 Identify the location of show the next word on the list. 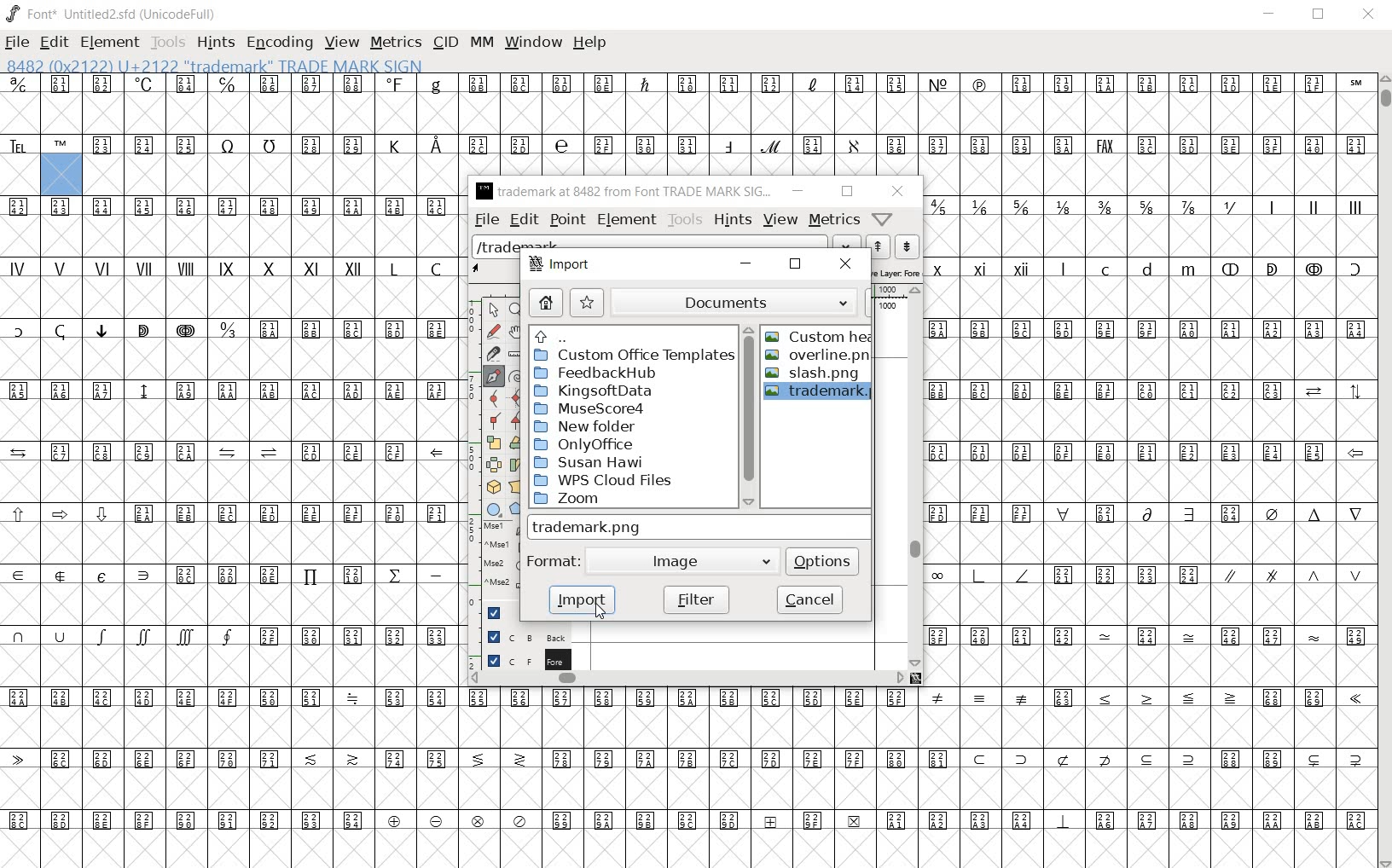
(878, 246).